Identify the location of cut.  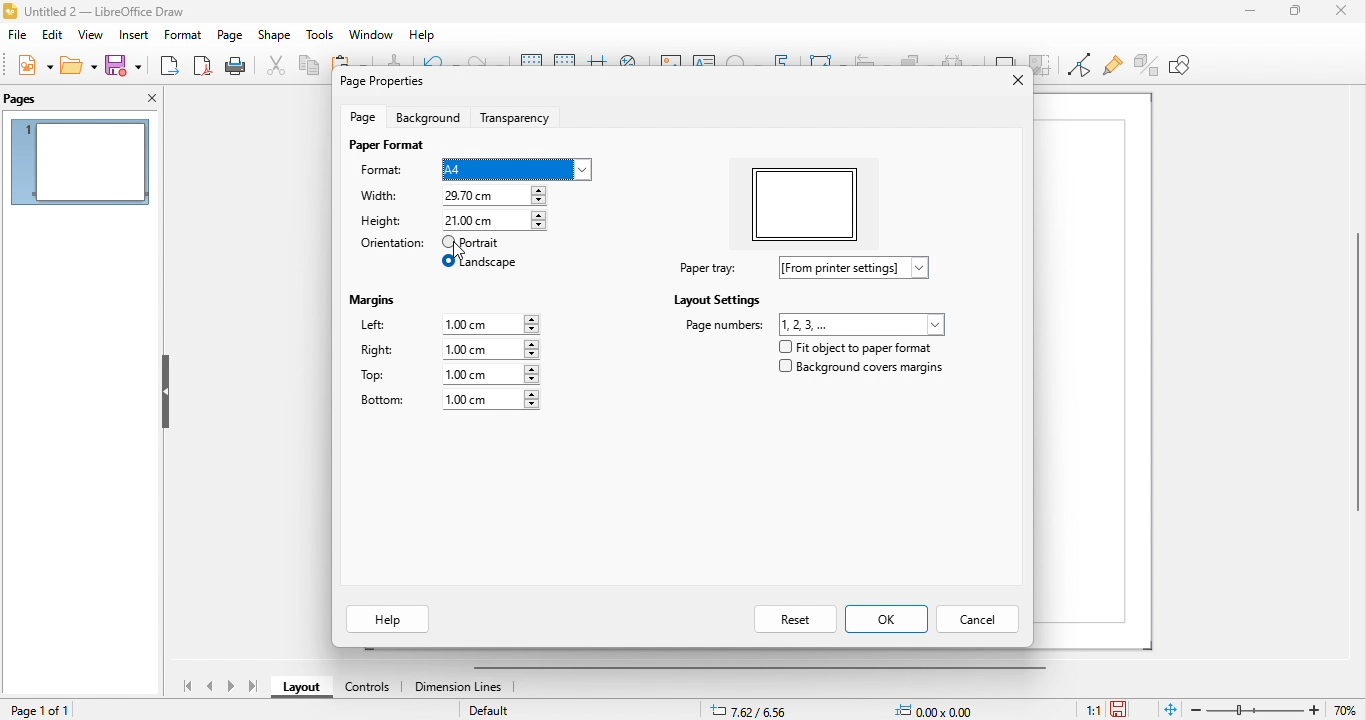
(277, 68).